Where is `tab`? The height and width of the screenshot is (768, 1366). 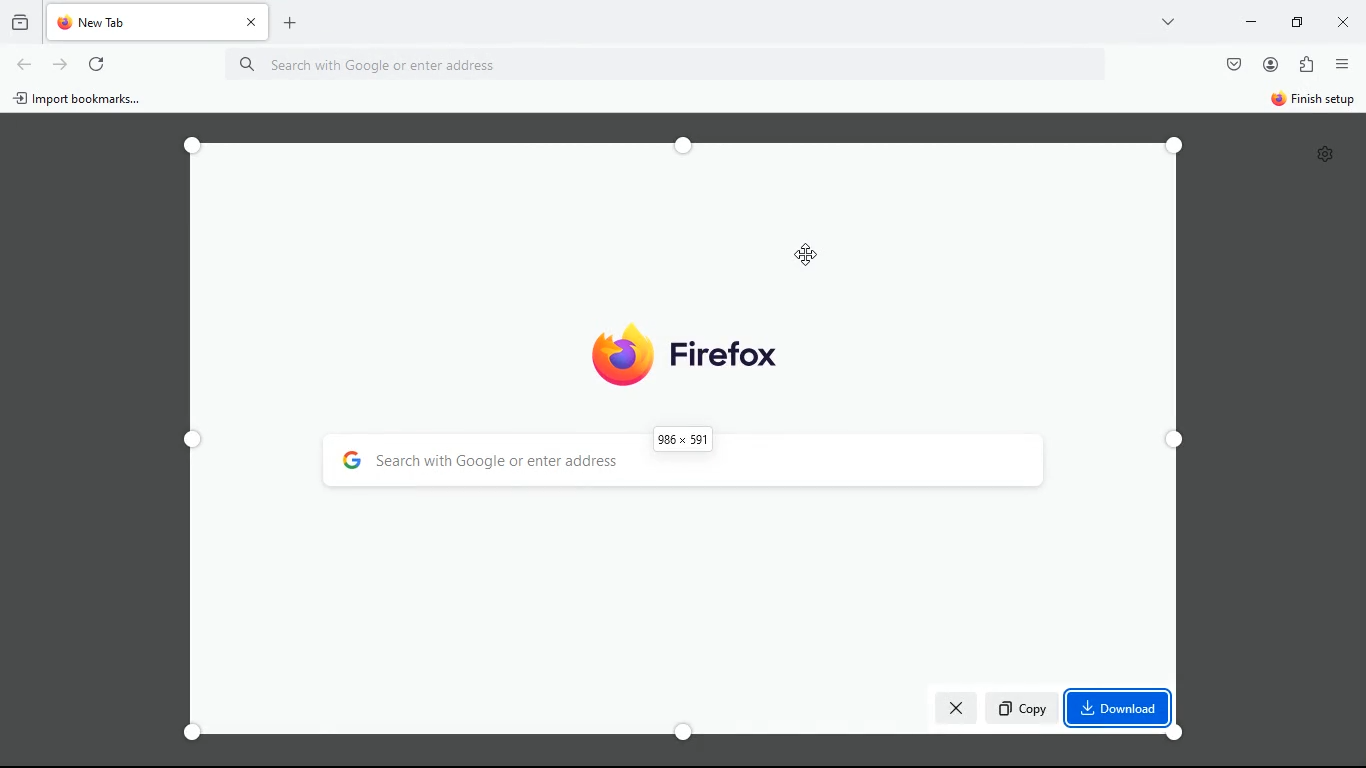 tab is located at coordinates (161, 22).